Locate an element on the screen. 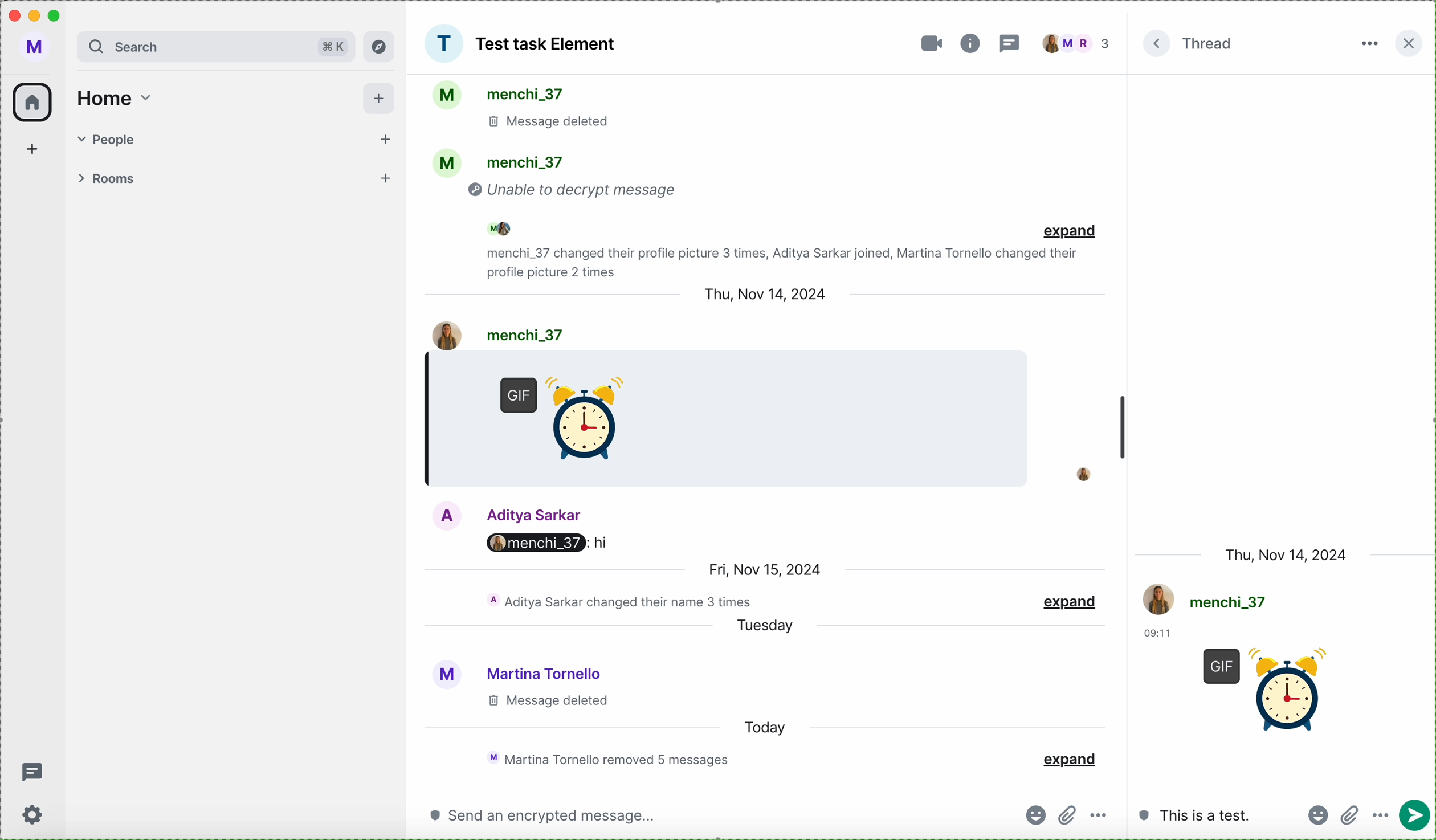 This screenshot has height=840, width=1436. expand is located at coordinates (1072, 599).